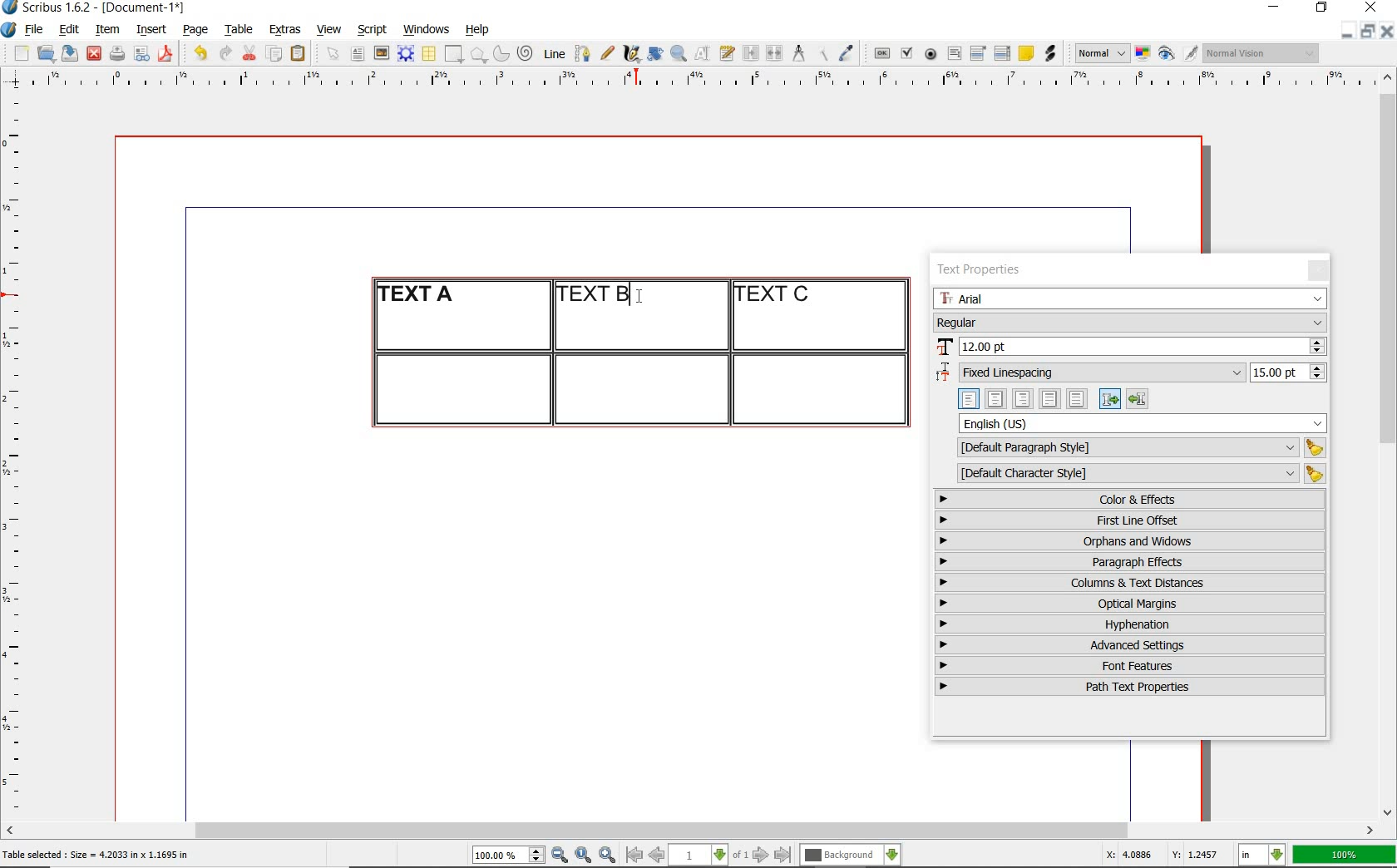  What do you see at coordinates (357, 55) in the screenshot?
I see `text frame` at bounding box center [357, 55].